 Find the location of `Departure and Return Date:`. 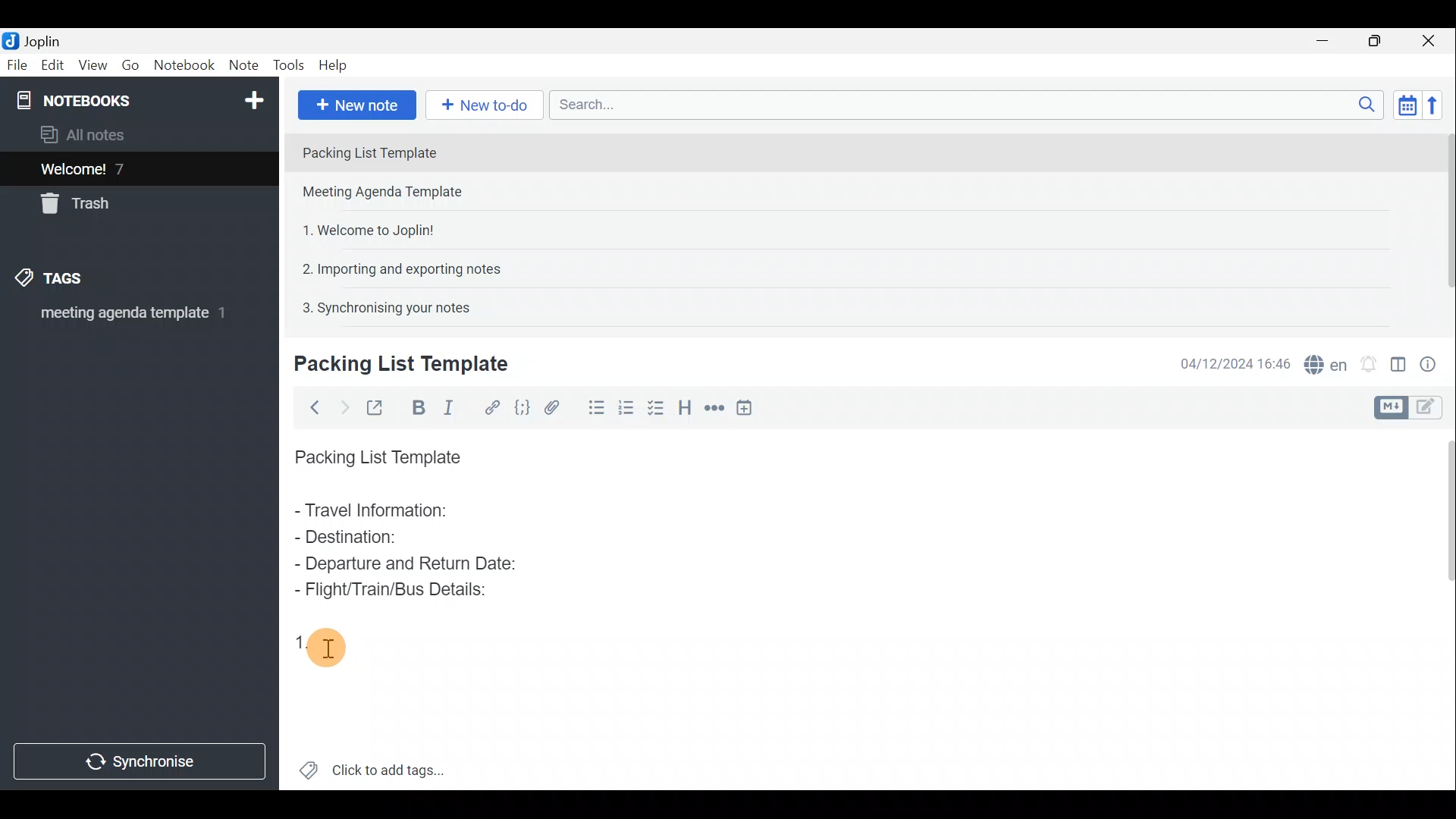

Departure and Return Date: is located at coordinates (406, 563).